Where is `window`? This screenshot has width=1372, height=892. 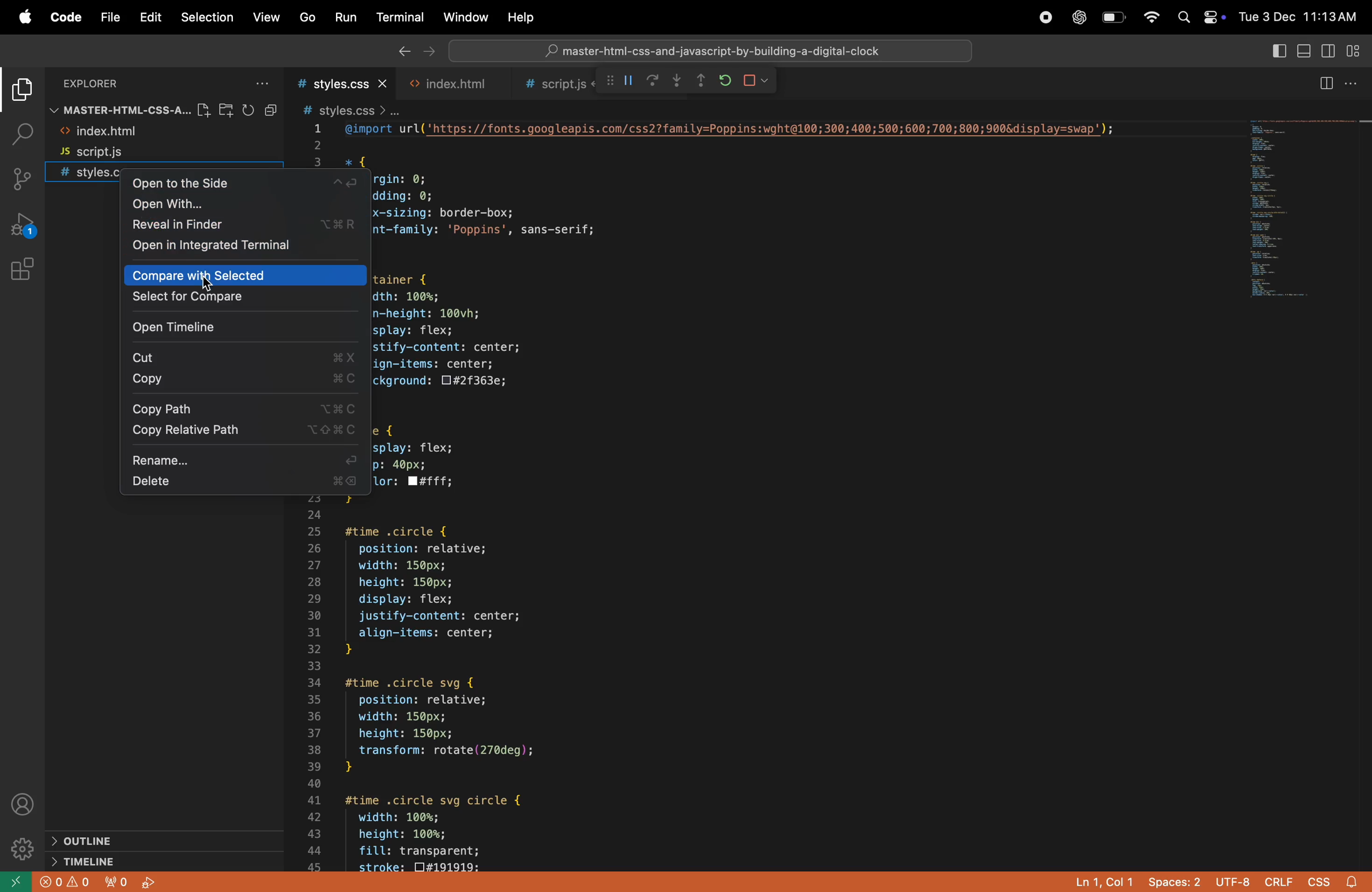
window is located at coordinates (466, 14).